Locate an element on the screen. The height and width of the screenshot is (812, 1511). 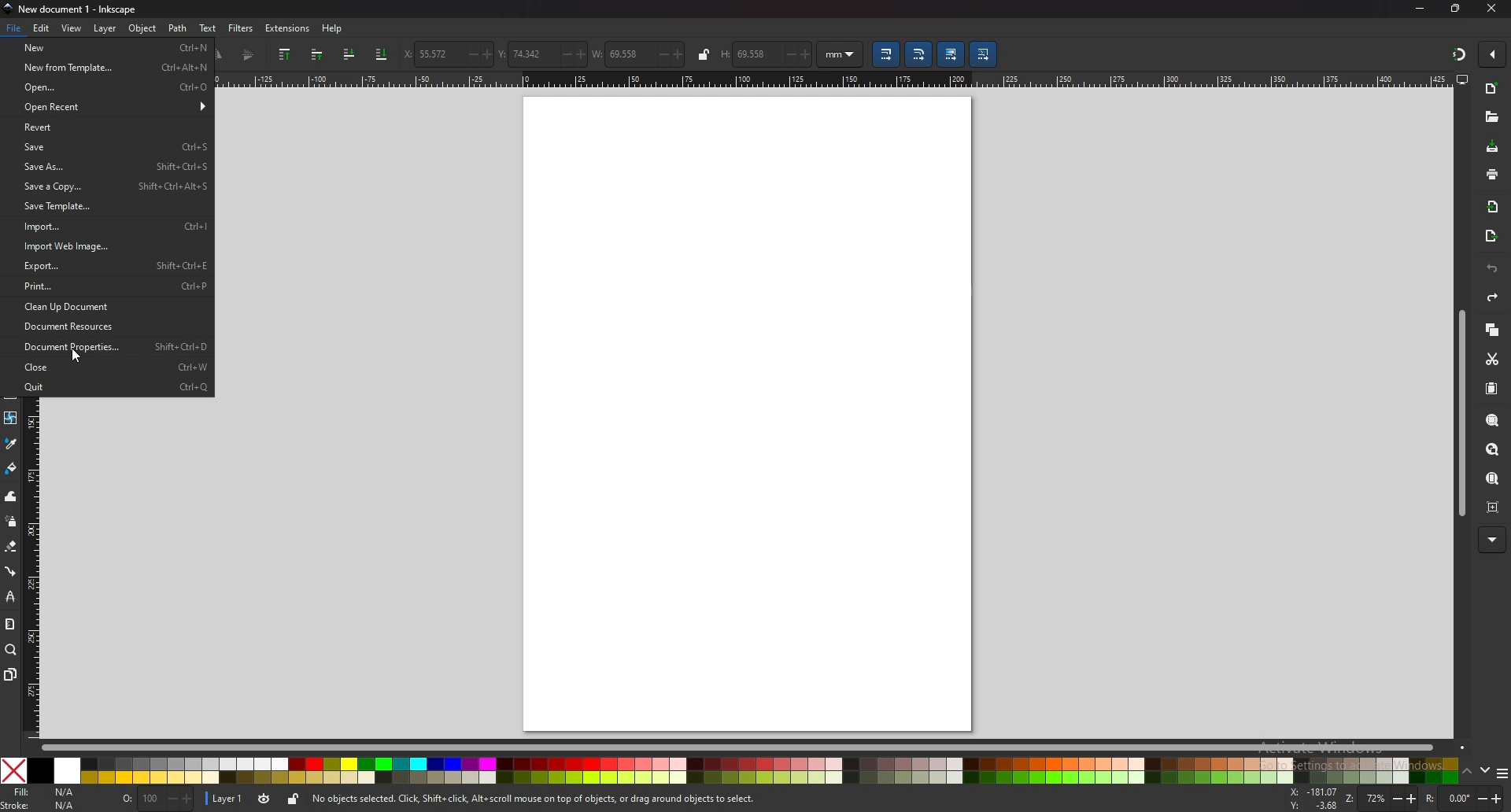
+ is located at coordinates (680, 56).